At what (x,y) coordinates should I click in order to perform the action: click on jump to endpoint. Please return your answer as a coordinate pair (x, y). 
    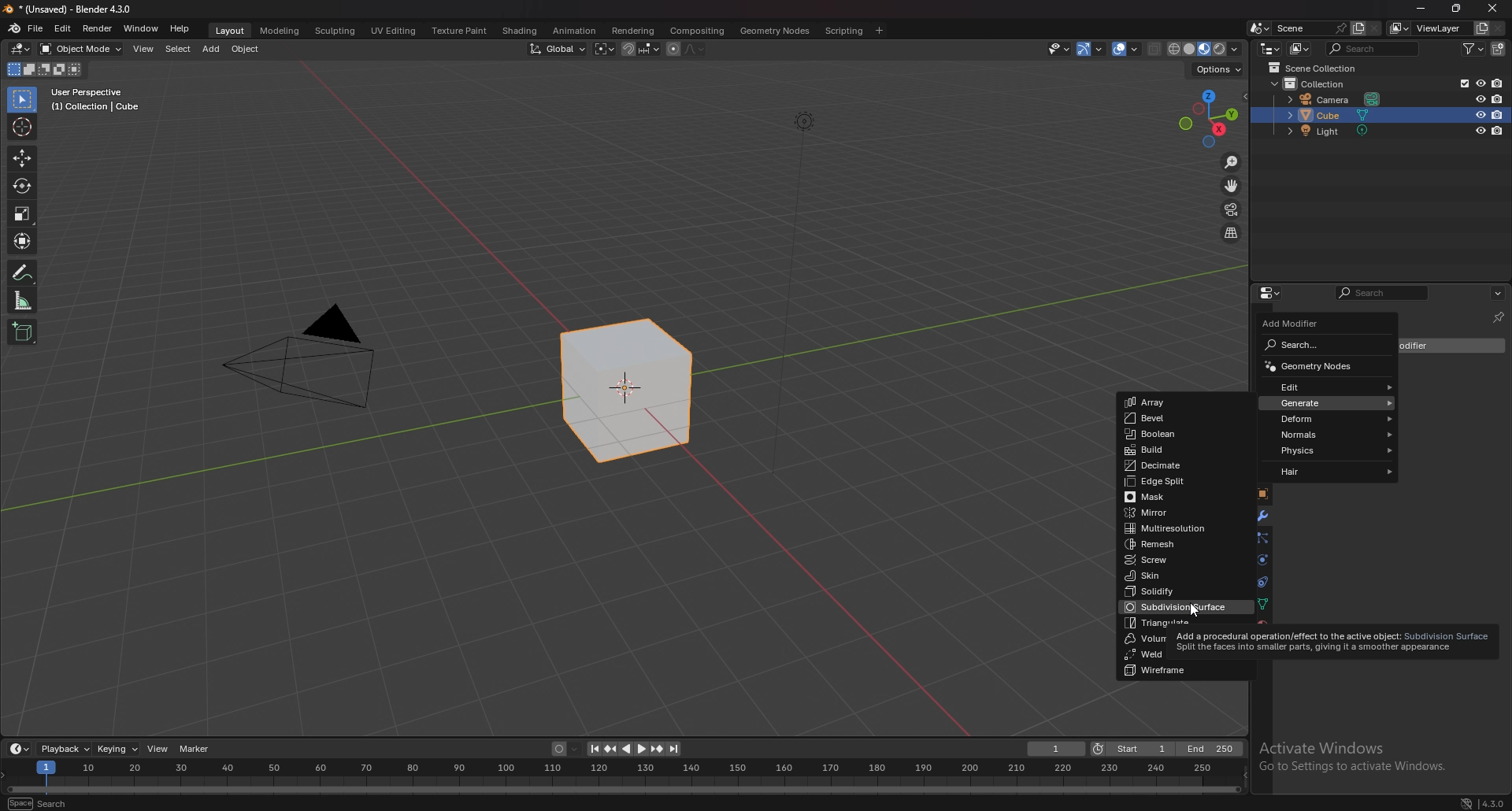
    Looking at the image, I should click on (592, 749).